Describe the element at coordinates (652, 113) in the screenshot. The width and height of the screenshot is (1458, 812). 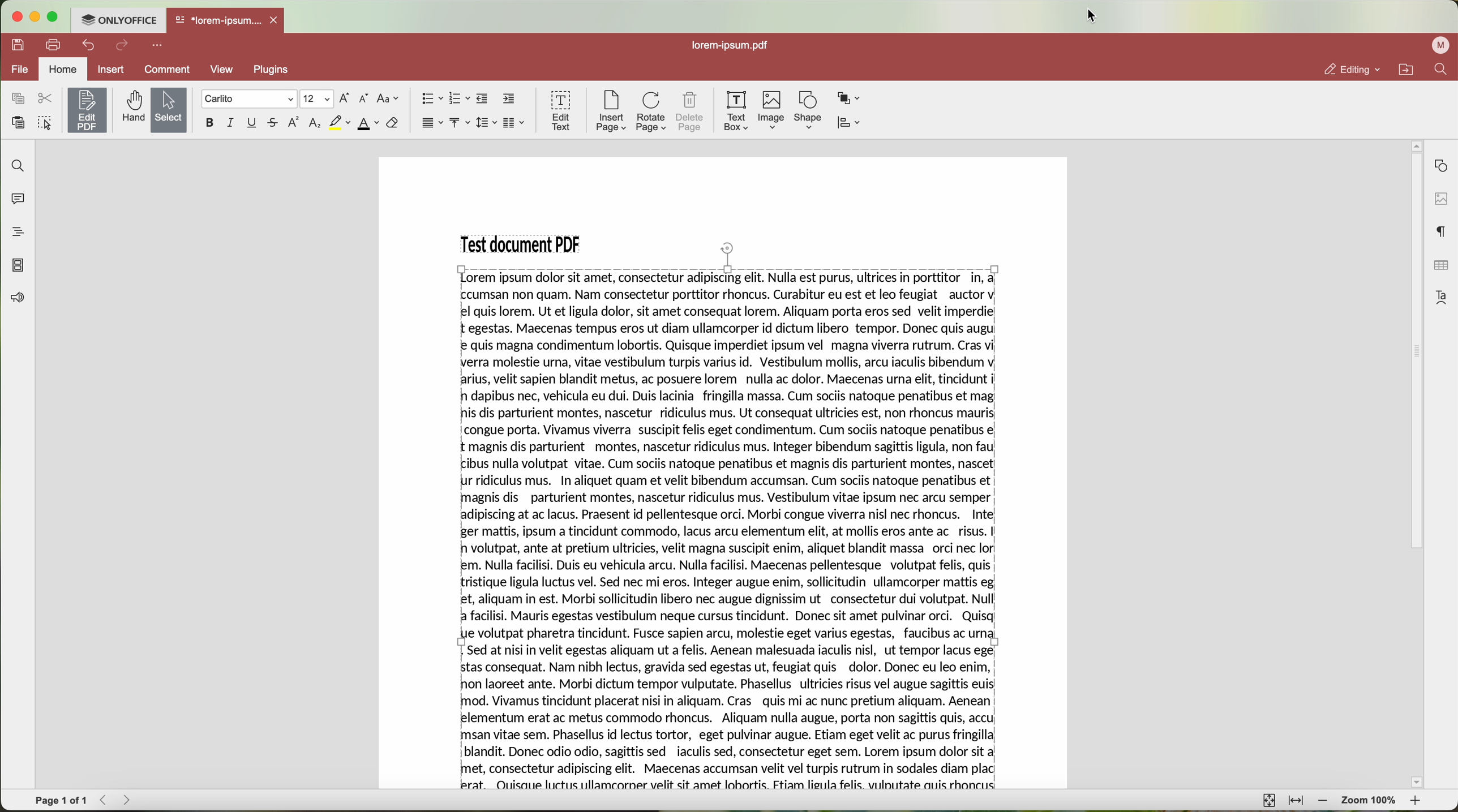
I see `rotate page` at that location.